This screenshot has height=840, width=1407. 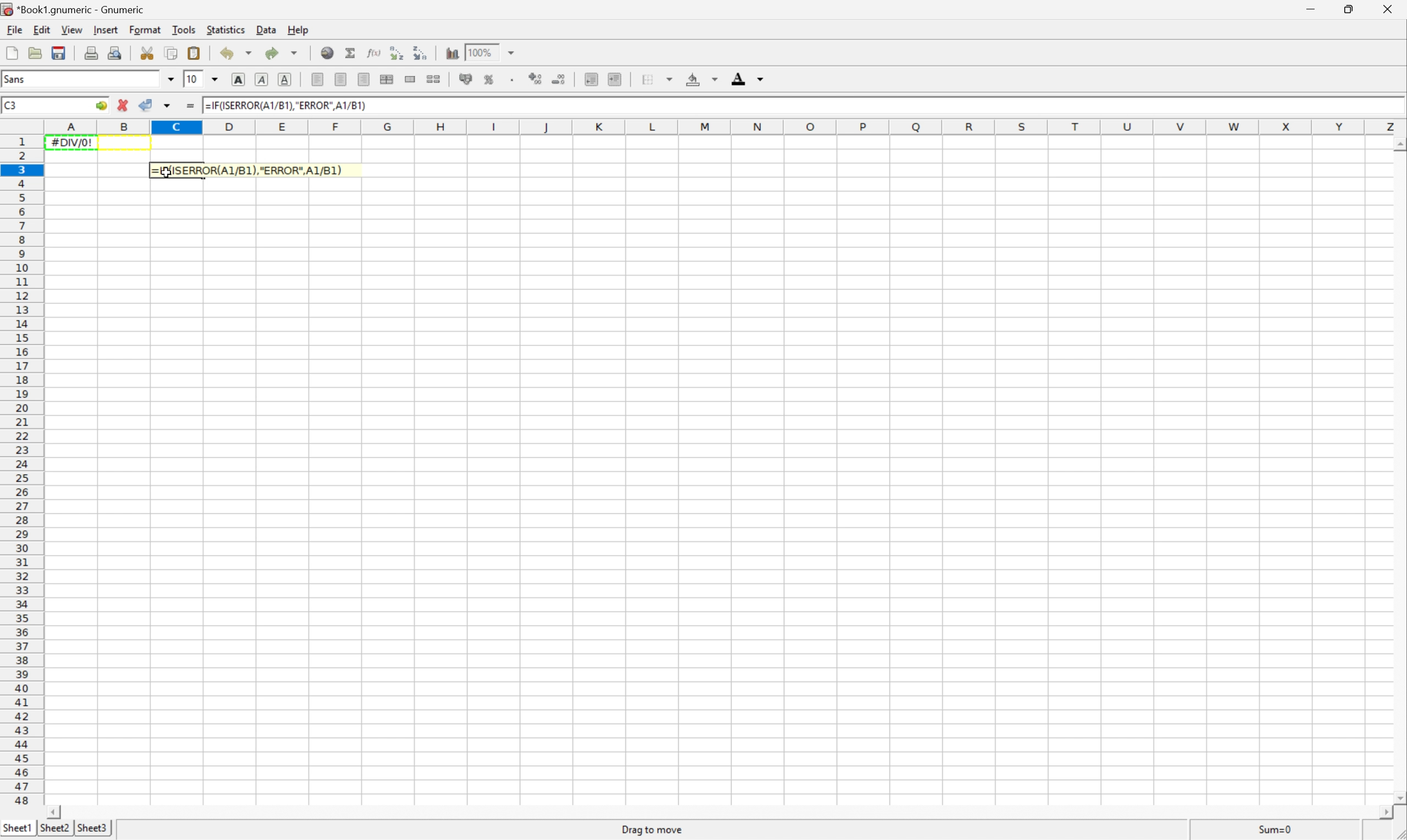 I want to click on accept change, so click(x=146, y=104).